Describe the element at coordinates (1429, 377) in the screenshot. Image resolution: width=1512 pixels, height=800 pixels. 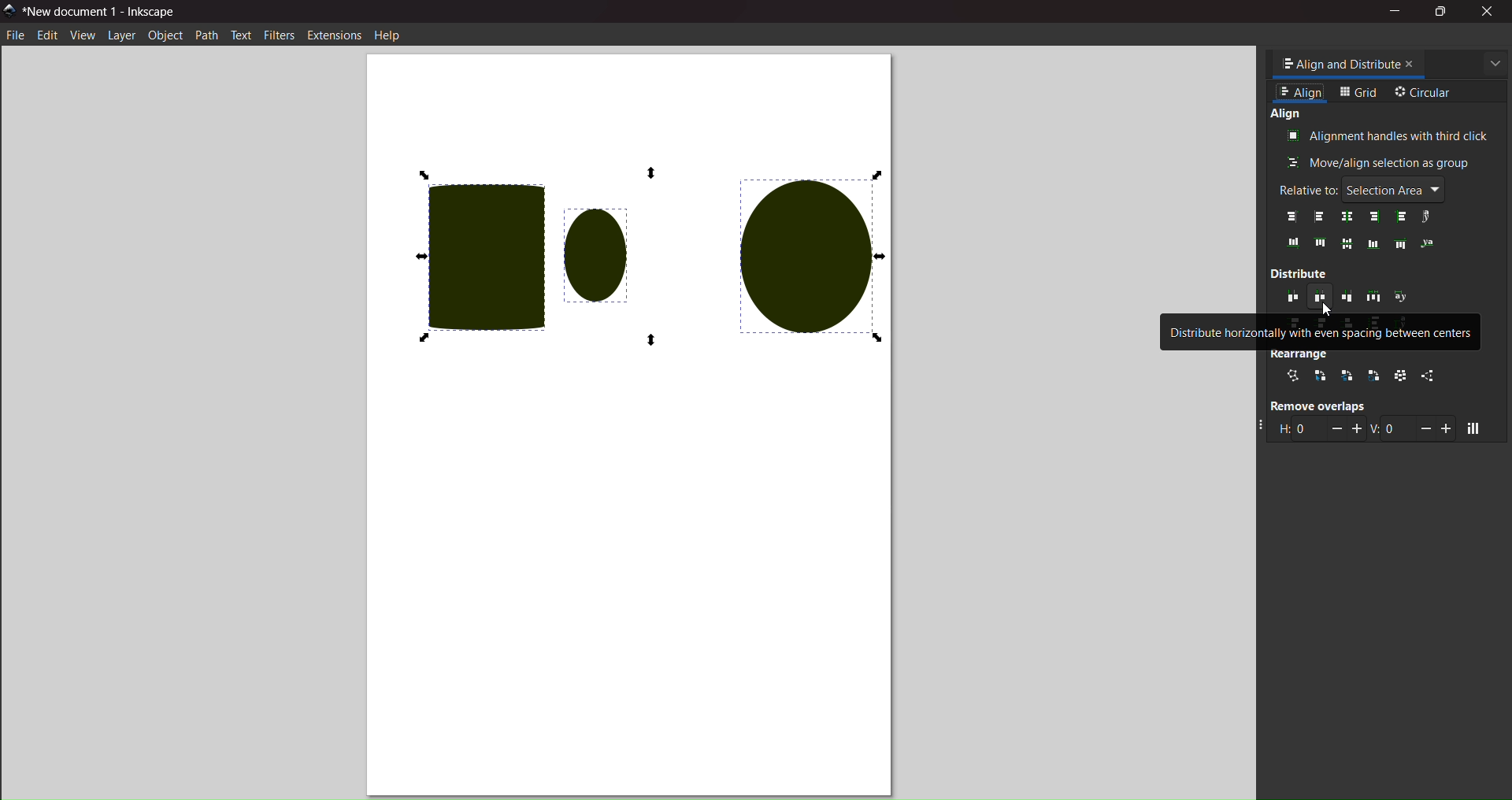
I see `unclump` at that location.